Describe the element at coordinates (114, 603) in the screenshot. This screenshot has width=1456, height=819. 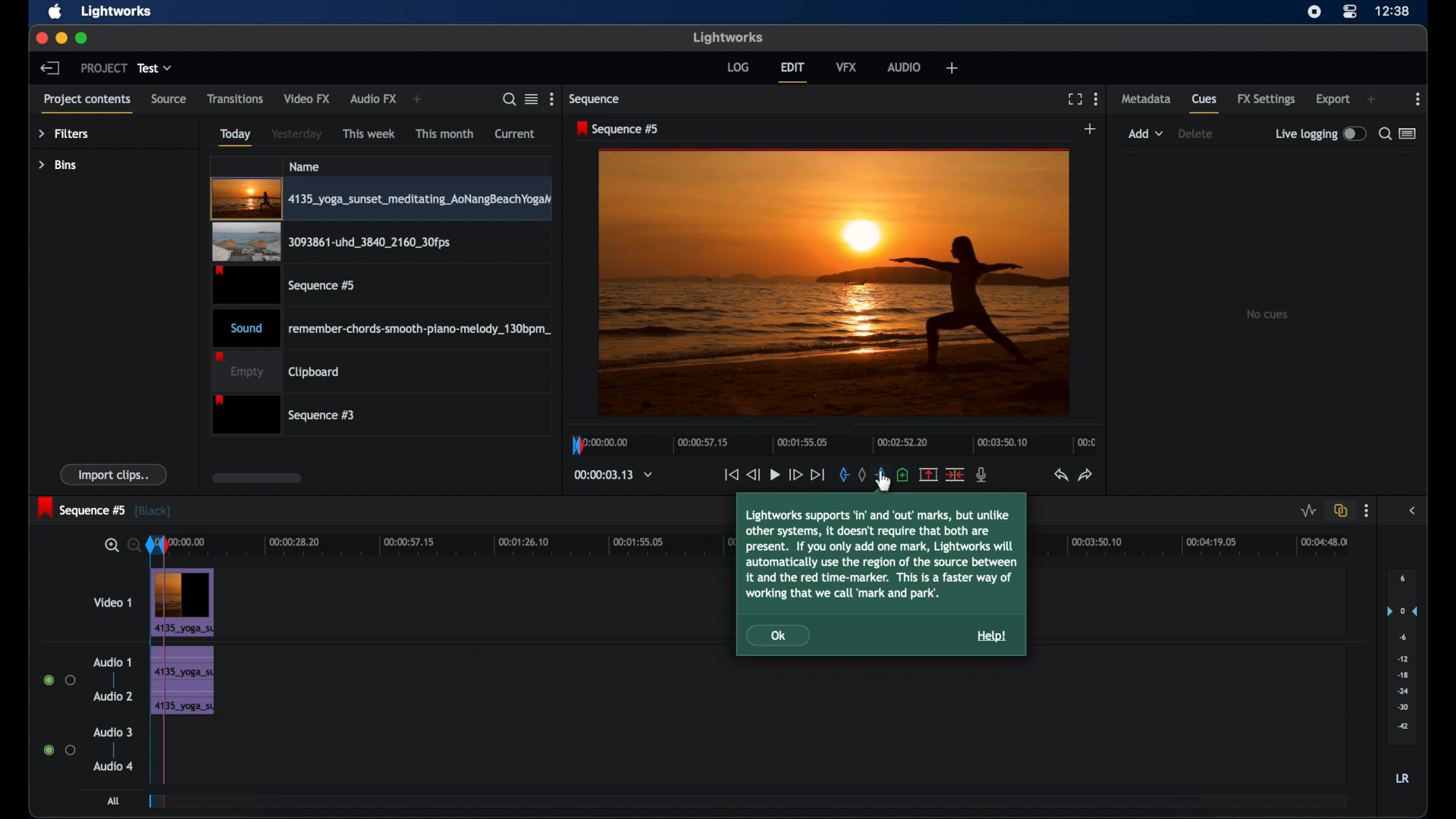
I see `video 1` at that location.